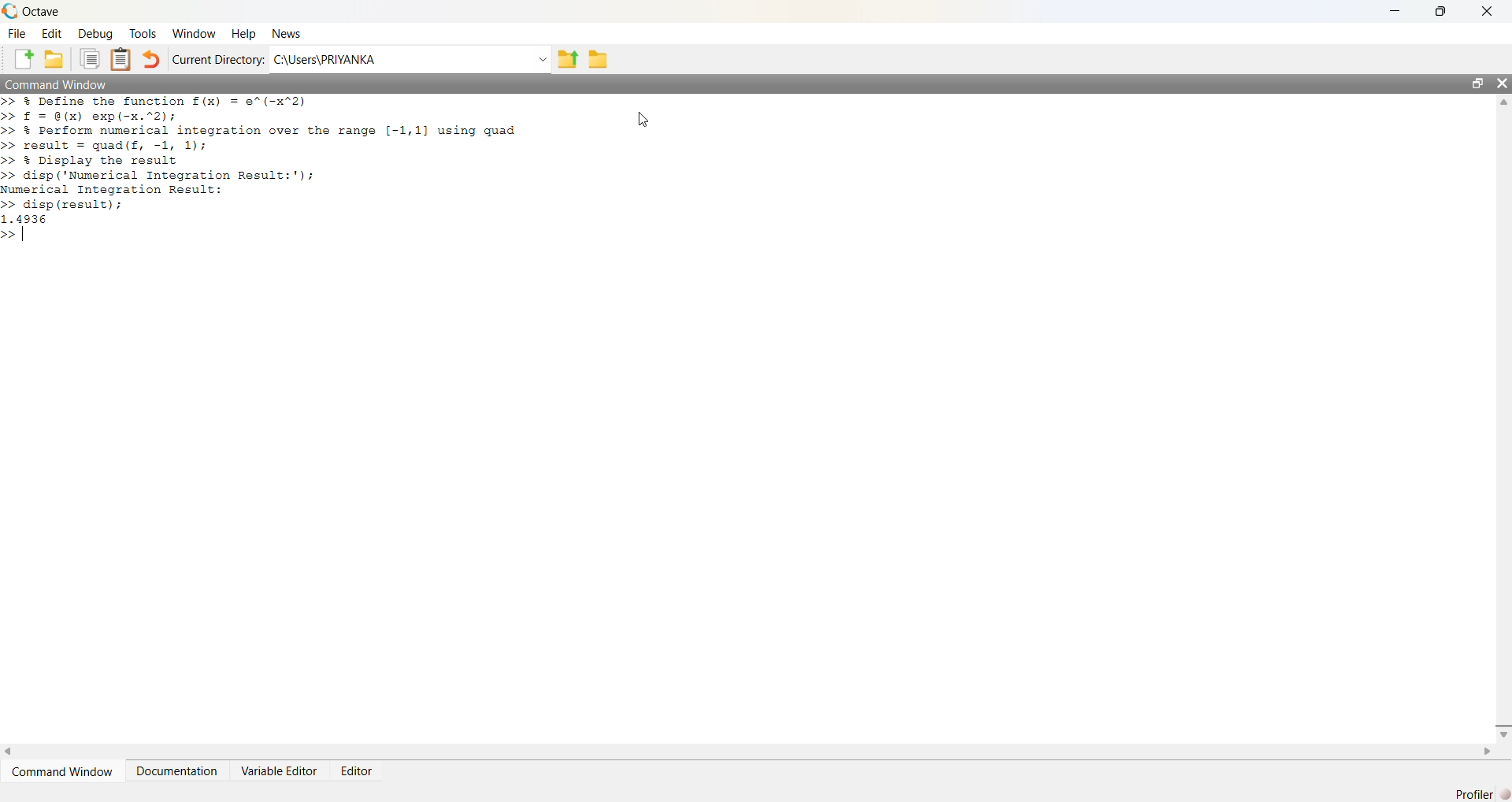 Image resolution: width=1512 pixels, height=802 pixels. I want to click on Current Directory:, so click(218, 58).